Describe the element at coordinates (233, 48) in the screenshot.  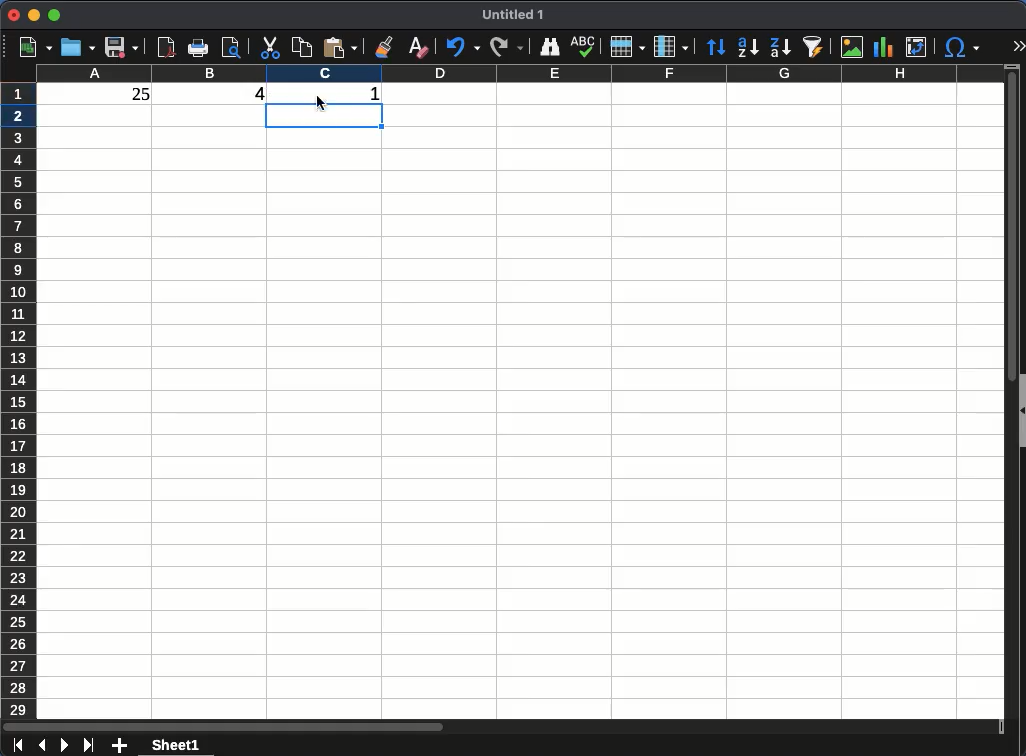
I see `print preview` at that location.